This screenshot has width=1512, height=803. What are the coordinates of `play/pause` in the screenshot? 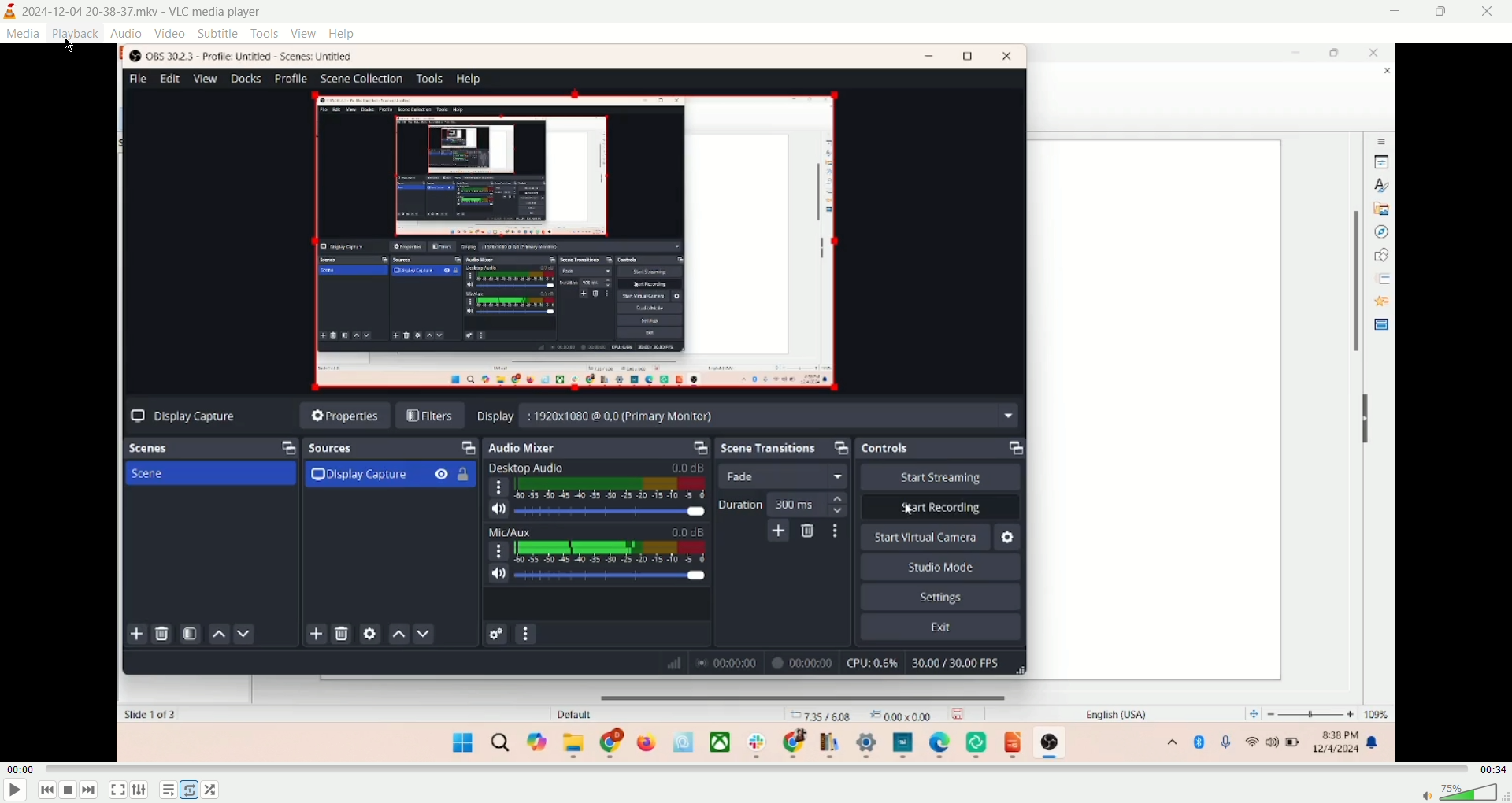 It's located at (15, 794).